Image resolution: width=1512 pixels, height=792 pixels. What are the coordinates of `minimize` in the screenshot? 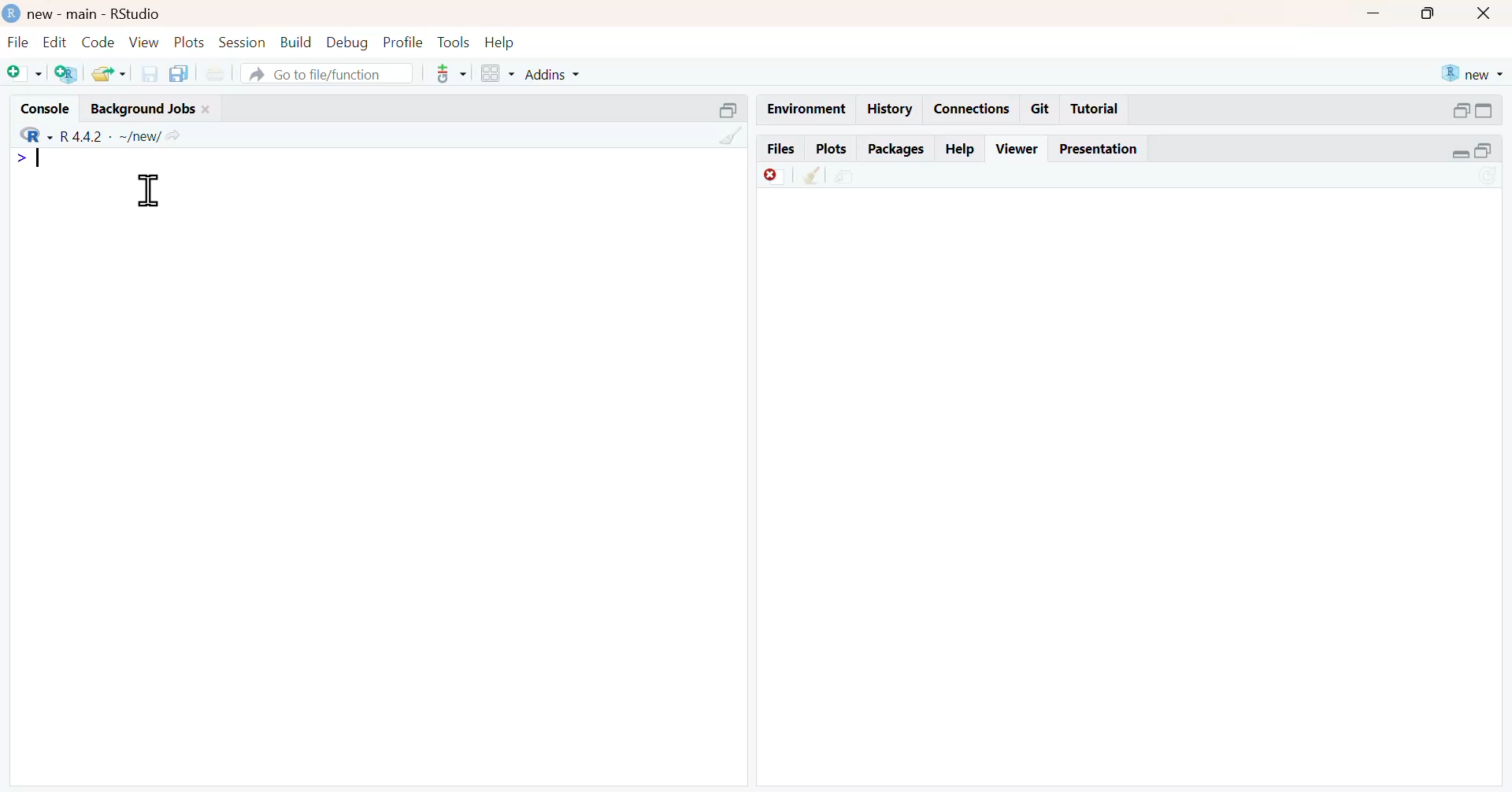 It's located at (1459, 109).